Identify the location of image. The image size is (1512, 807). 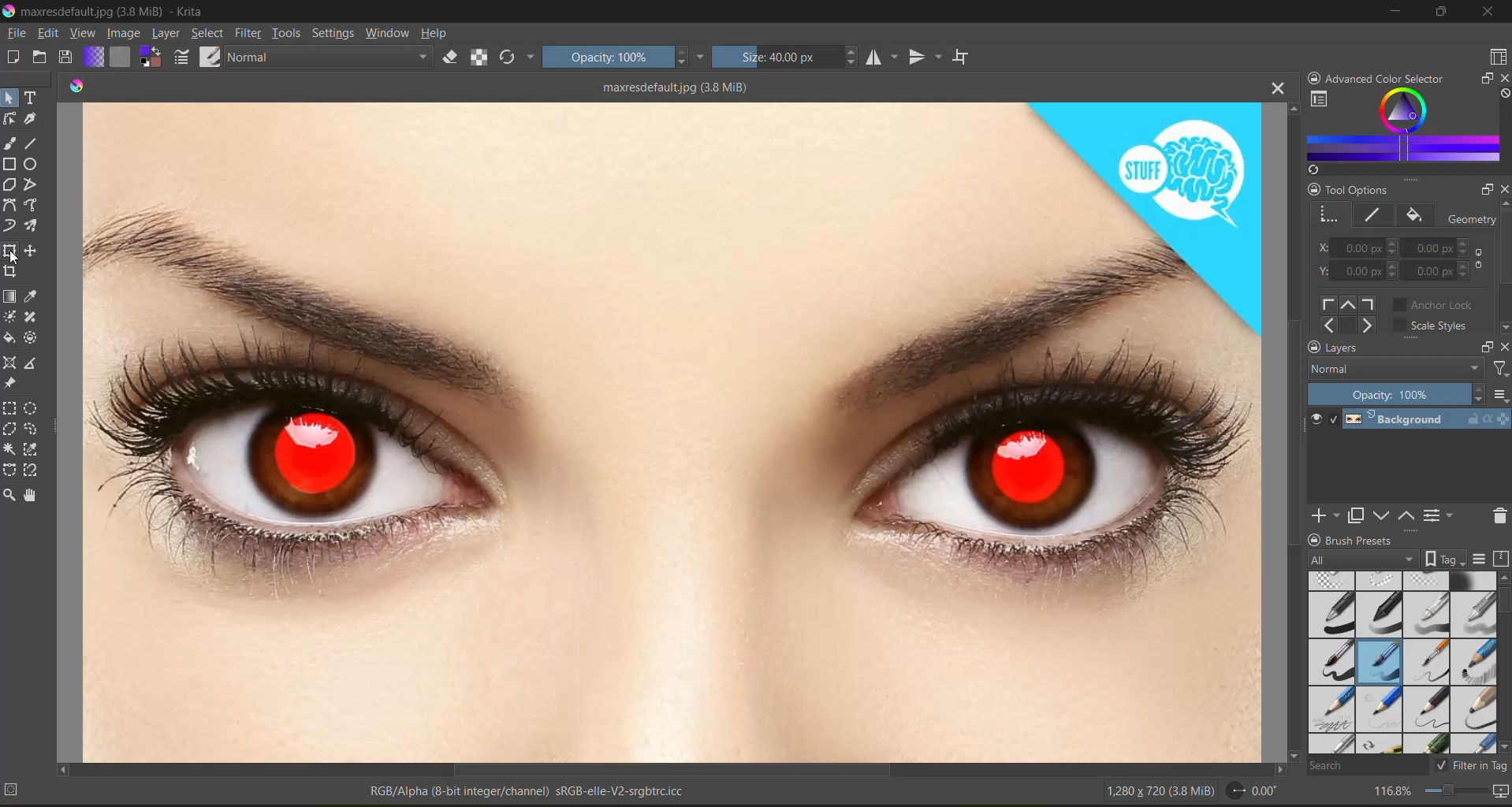
(124, 35).